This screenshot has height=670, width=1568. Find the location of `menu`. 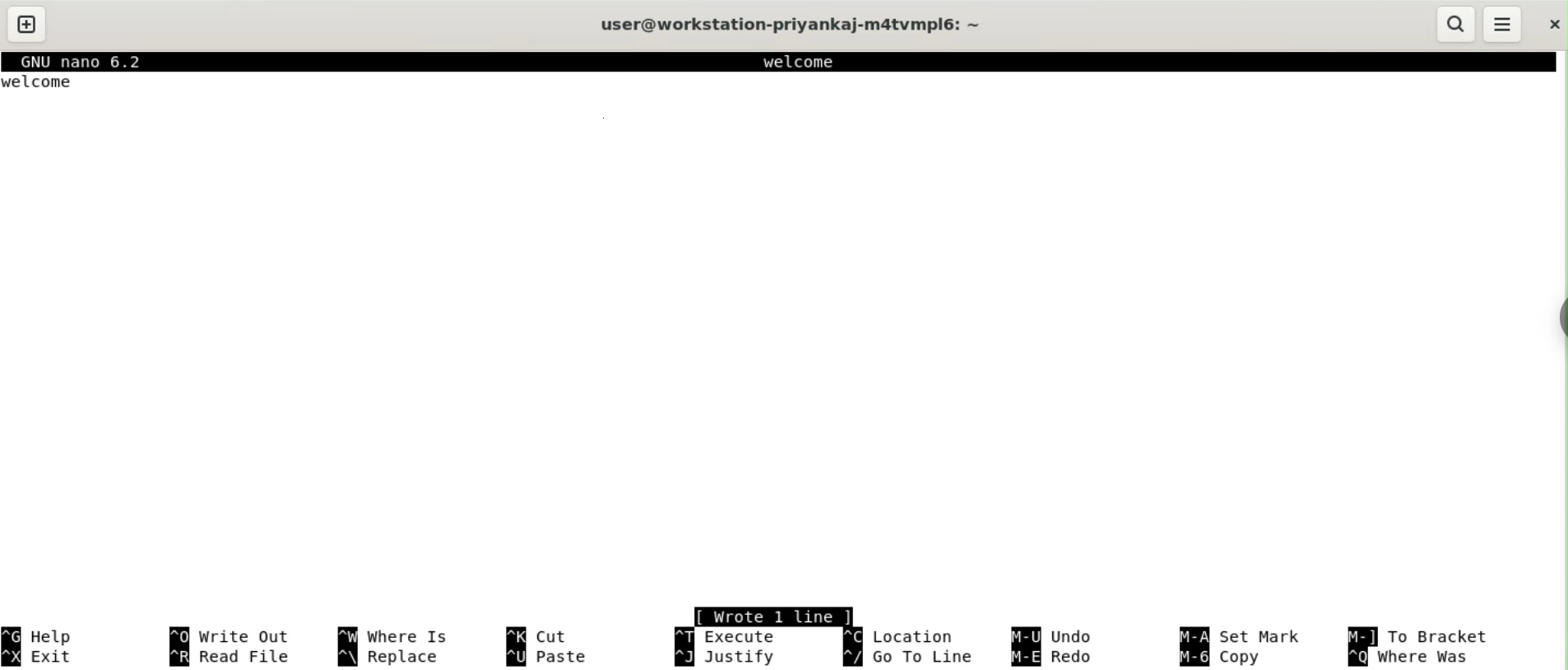

menu is located at coordinates (1501, 24).